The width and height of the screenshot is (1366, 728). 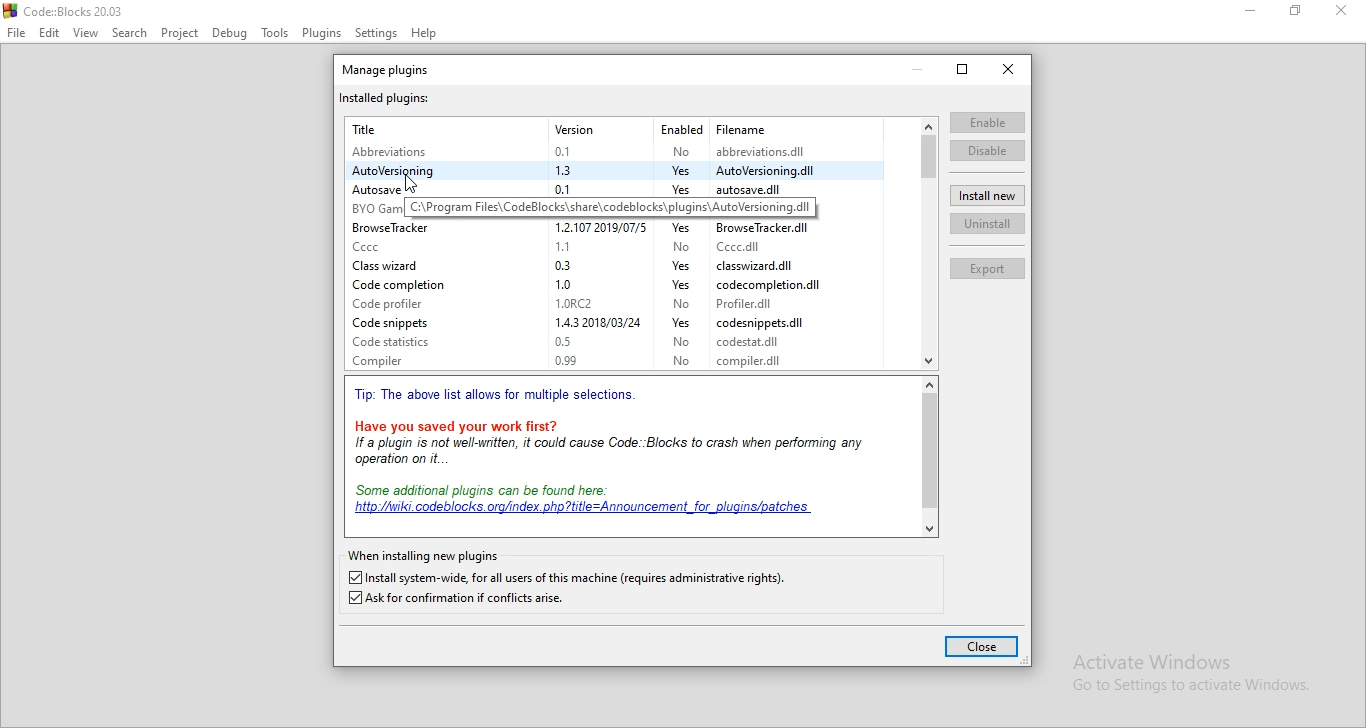 What do you see at coordinates (929, 384) in the screenshot?
I see `scroll up` at bounding box center [929, 384].